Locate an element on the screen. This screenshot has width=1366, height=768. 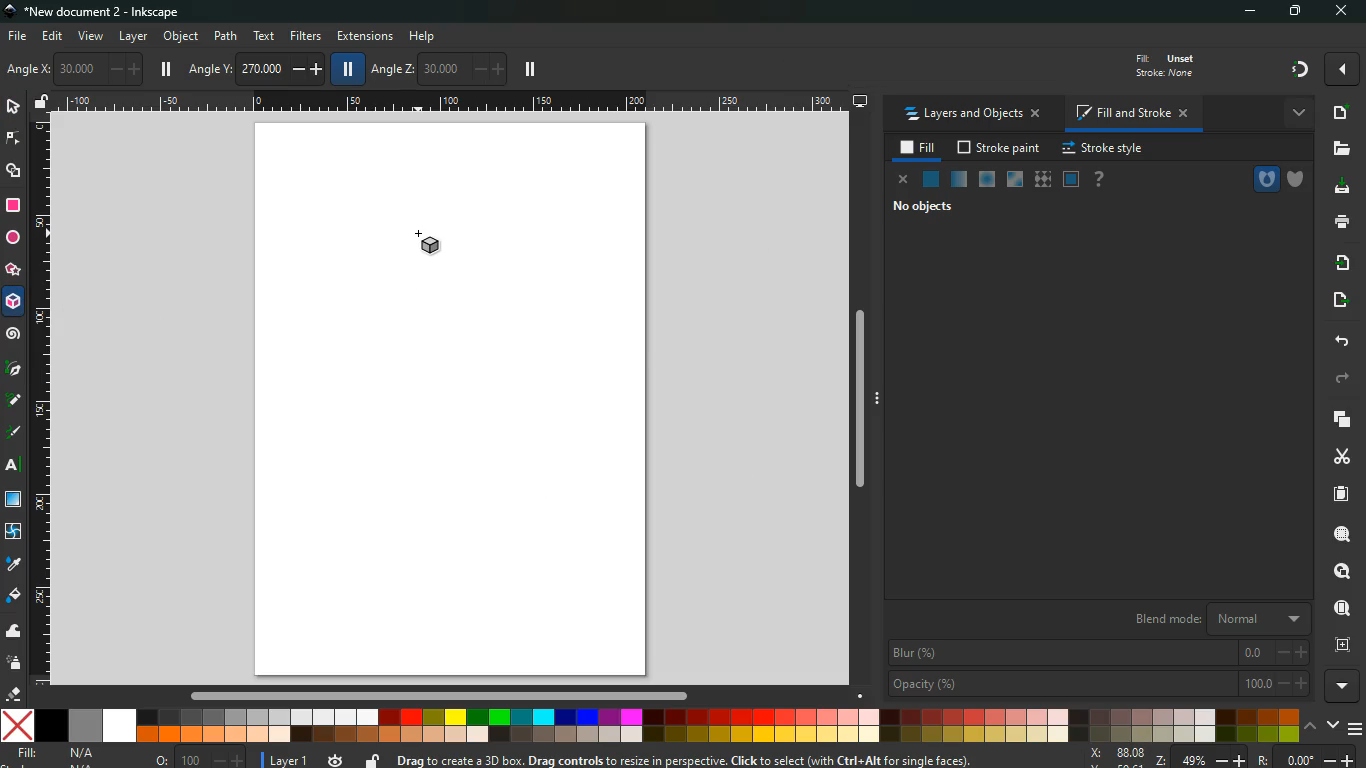
eraser is located at coordinates (16, 696).